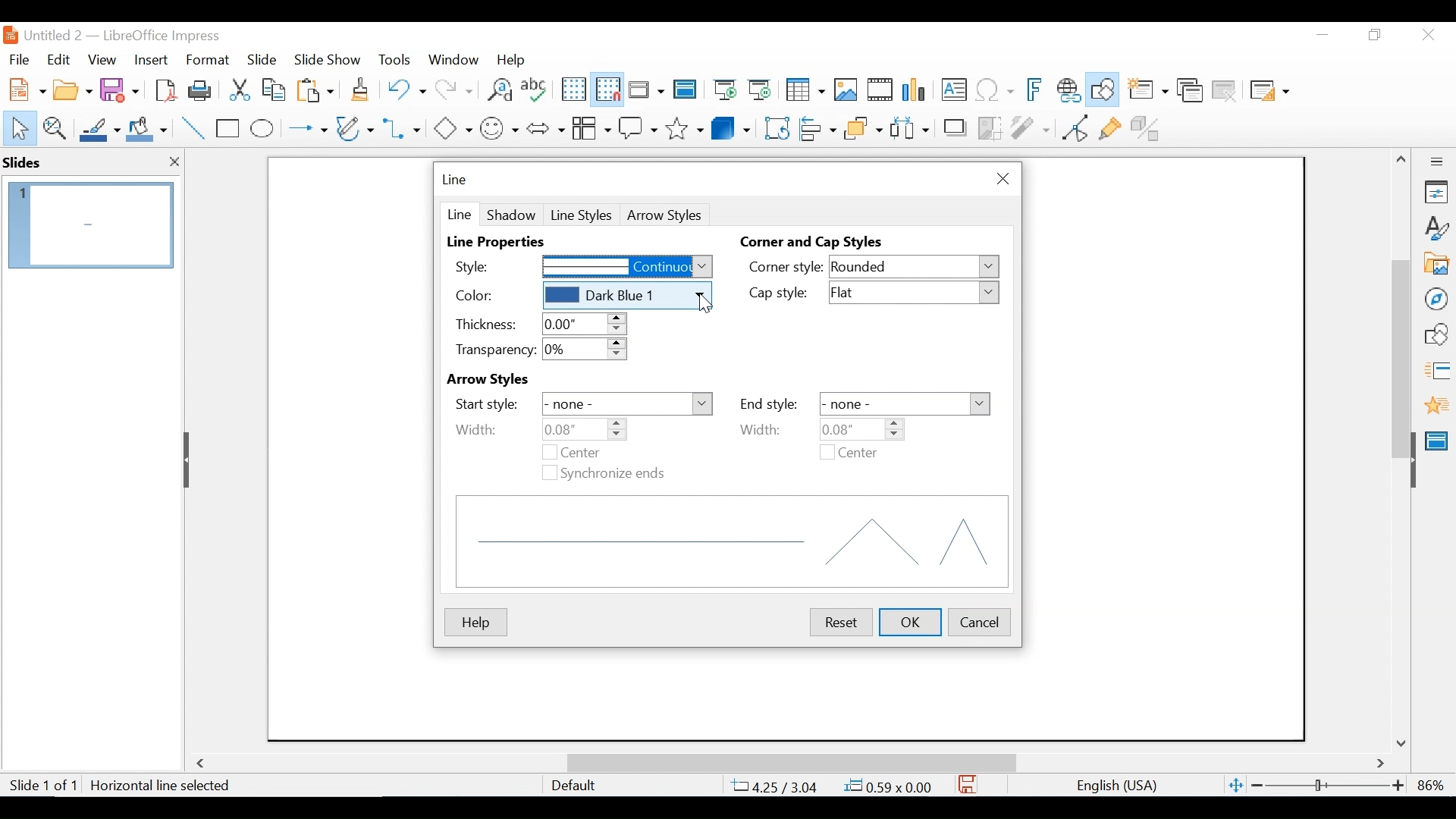  I want to click on Reset, so click(839, 622).